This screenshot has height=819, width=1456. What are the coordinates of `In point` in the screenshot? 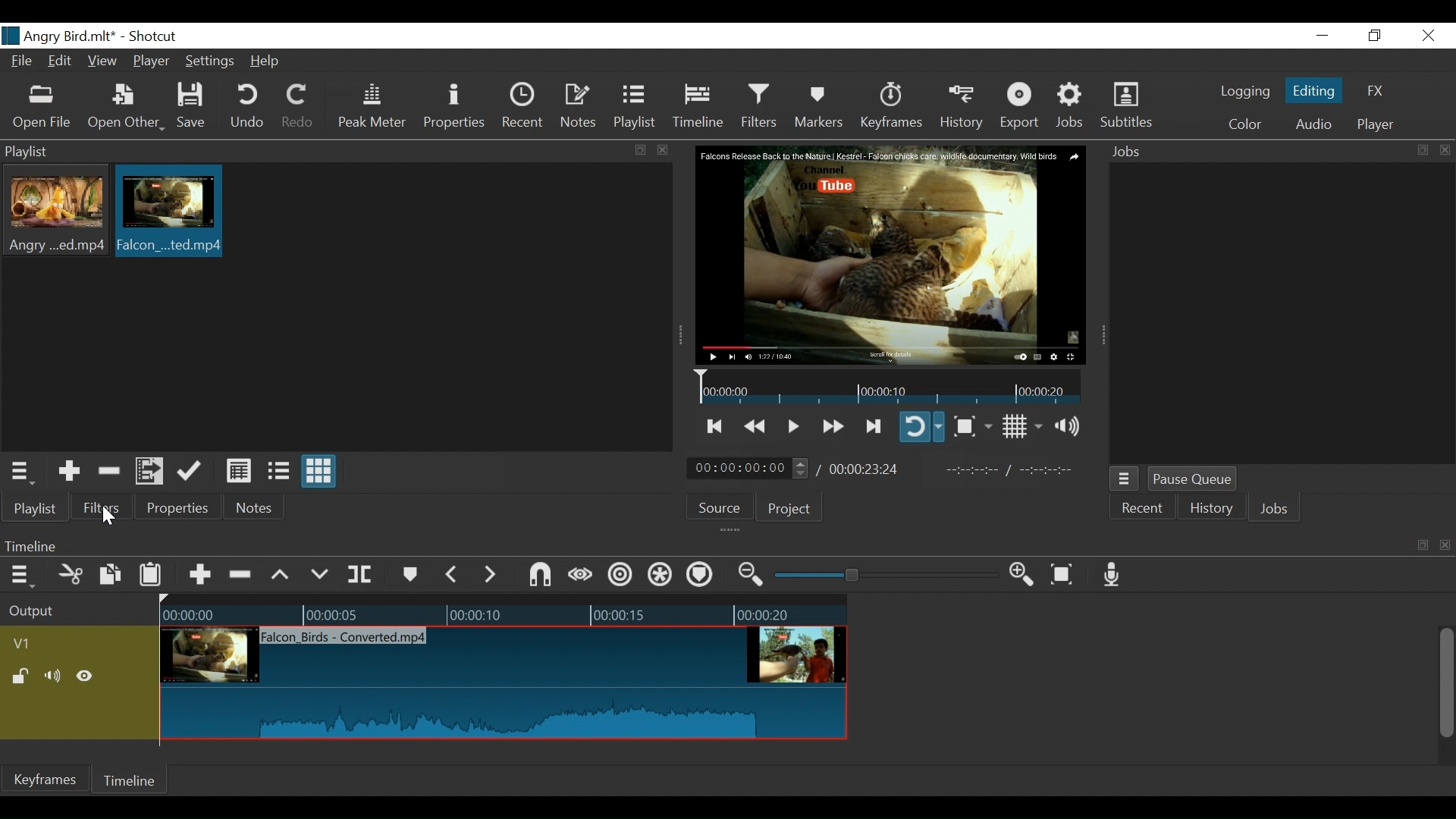 It's located at (1015, 470).